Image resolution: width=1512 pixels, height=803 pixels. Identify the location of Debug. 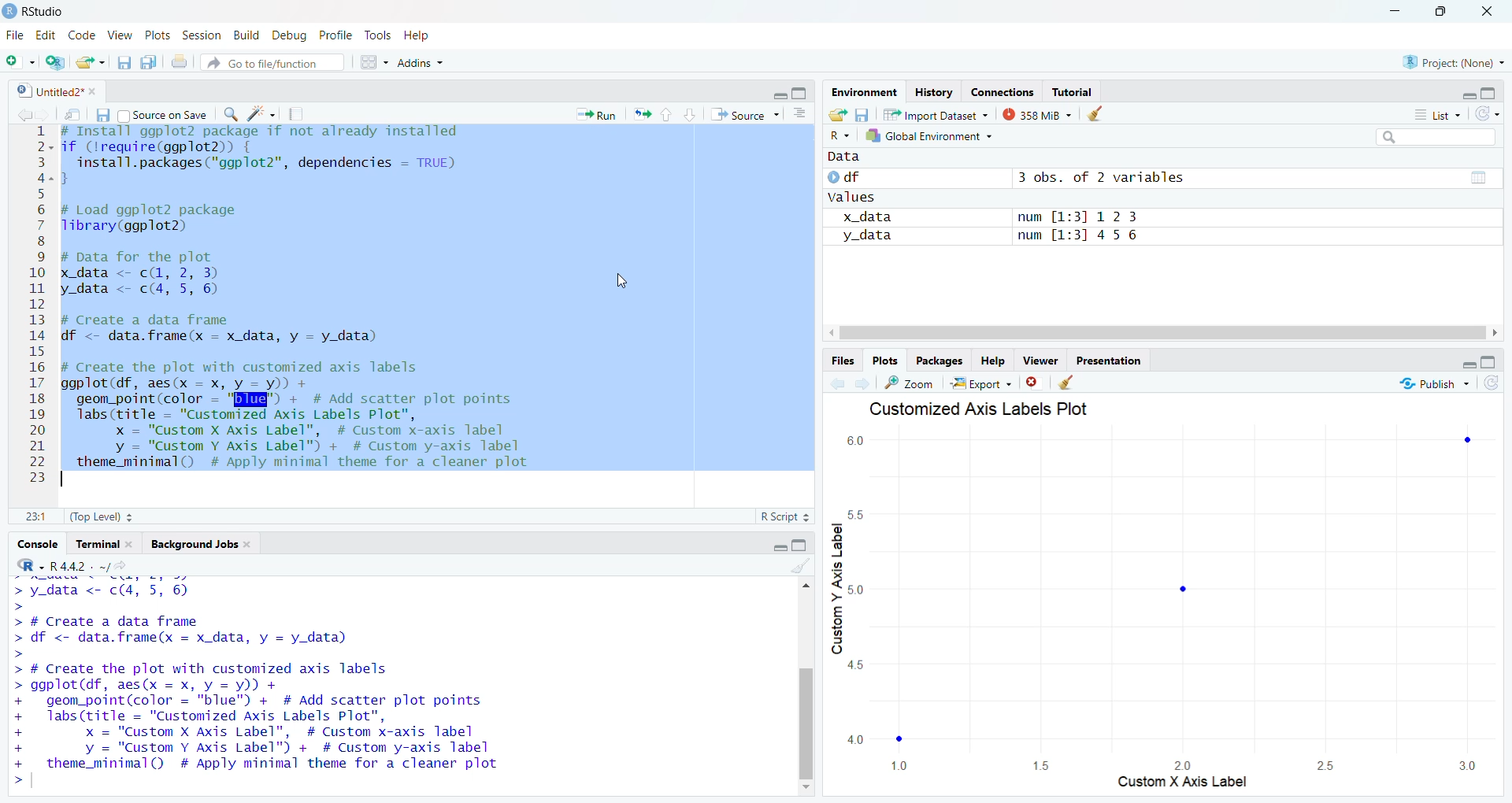
(291, 35).